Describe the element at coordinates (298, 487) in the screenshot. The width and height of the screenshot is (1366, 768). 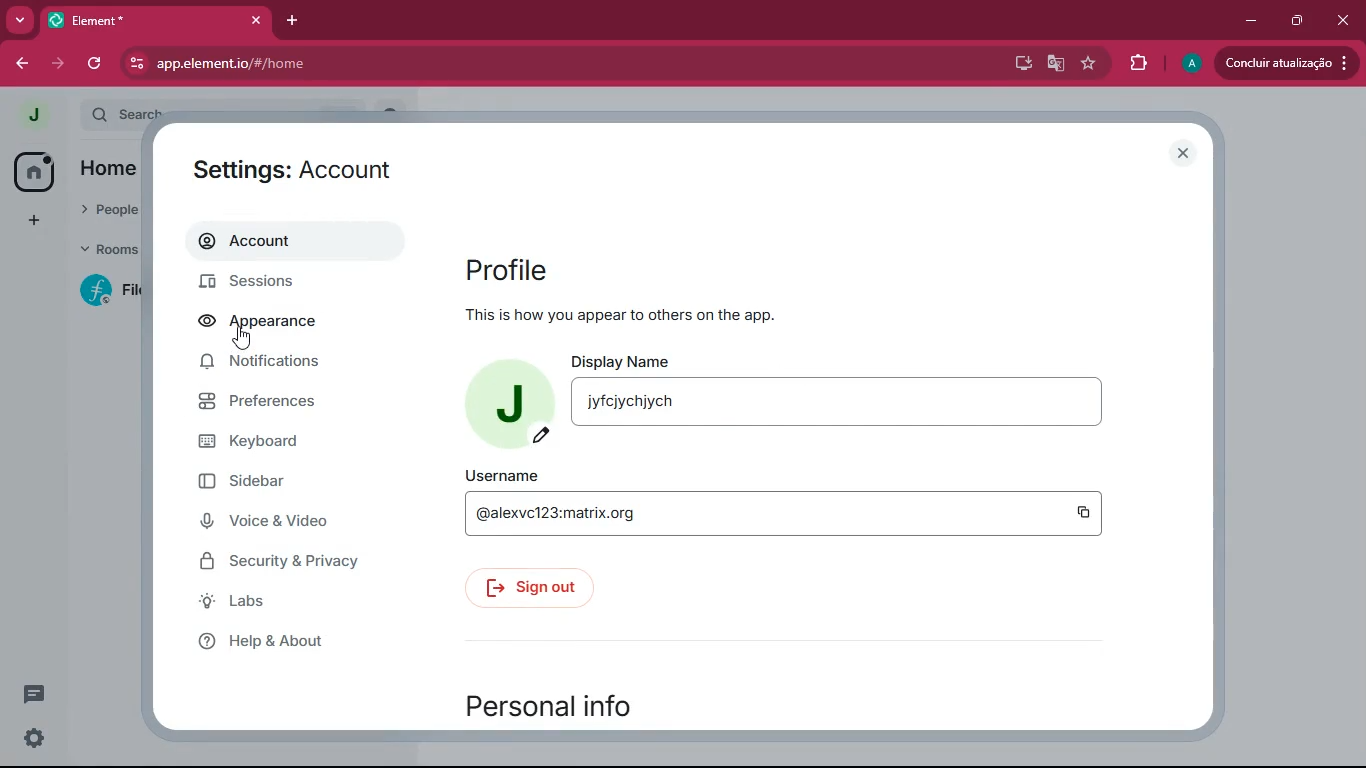
I see `sidebar` at that location.